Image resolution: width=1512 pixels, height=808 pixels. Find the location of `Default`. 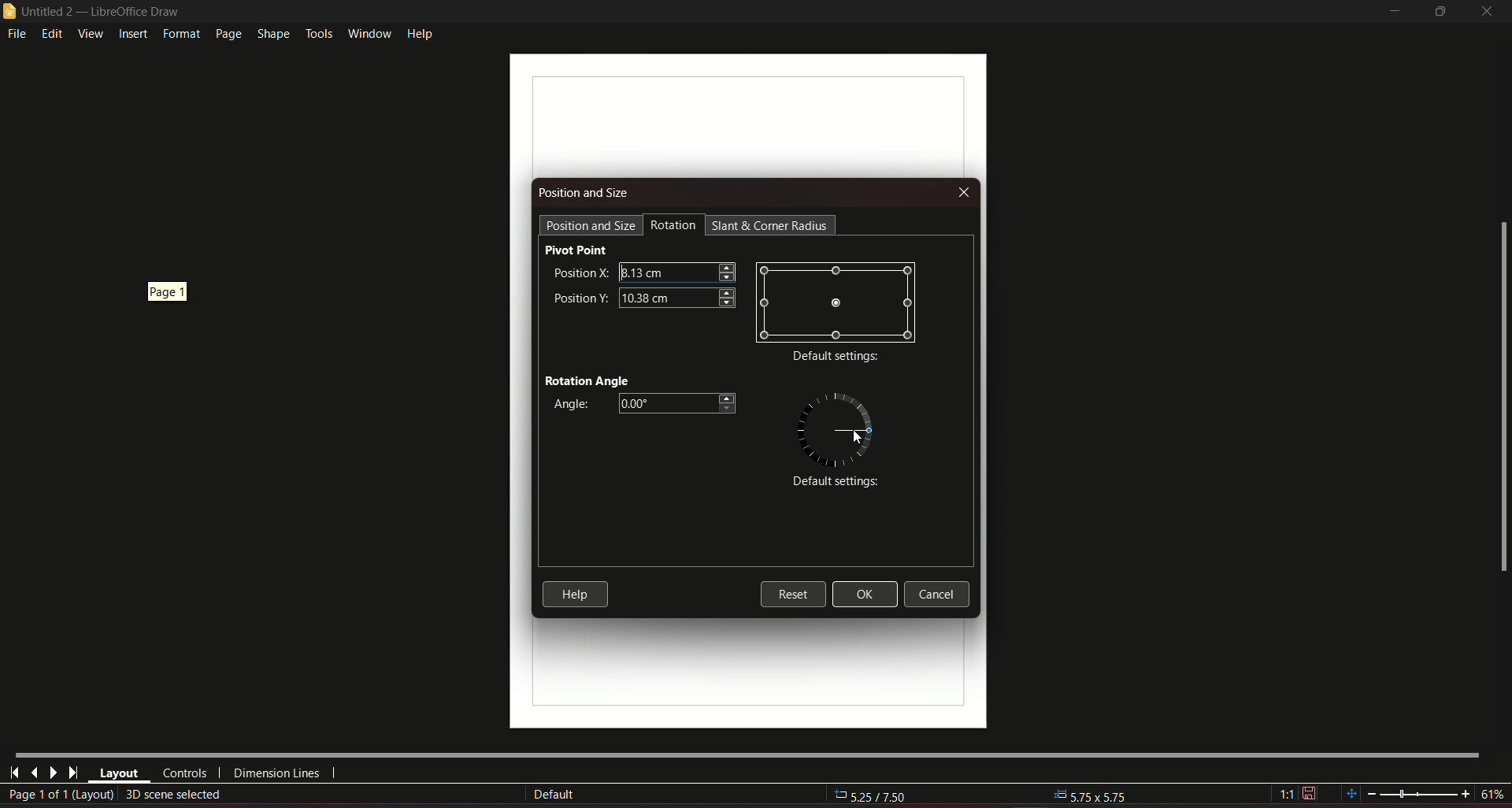

Default is located at coordinates (554, 795).